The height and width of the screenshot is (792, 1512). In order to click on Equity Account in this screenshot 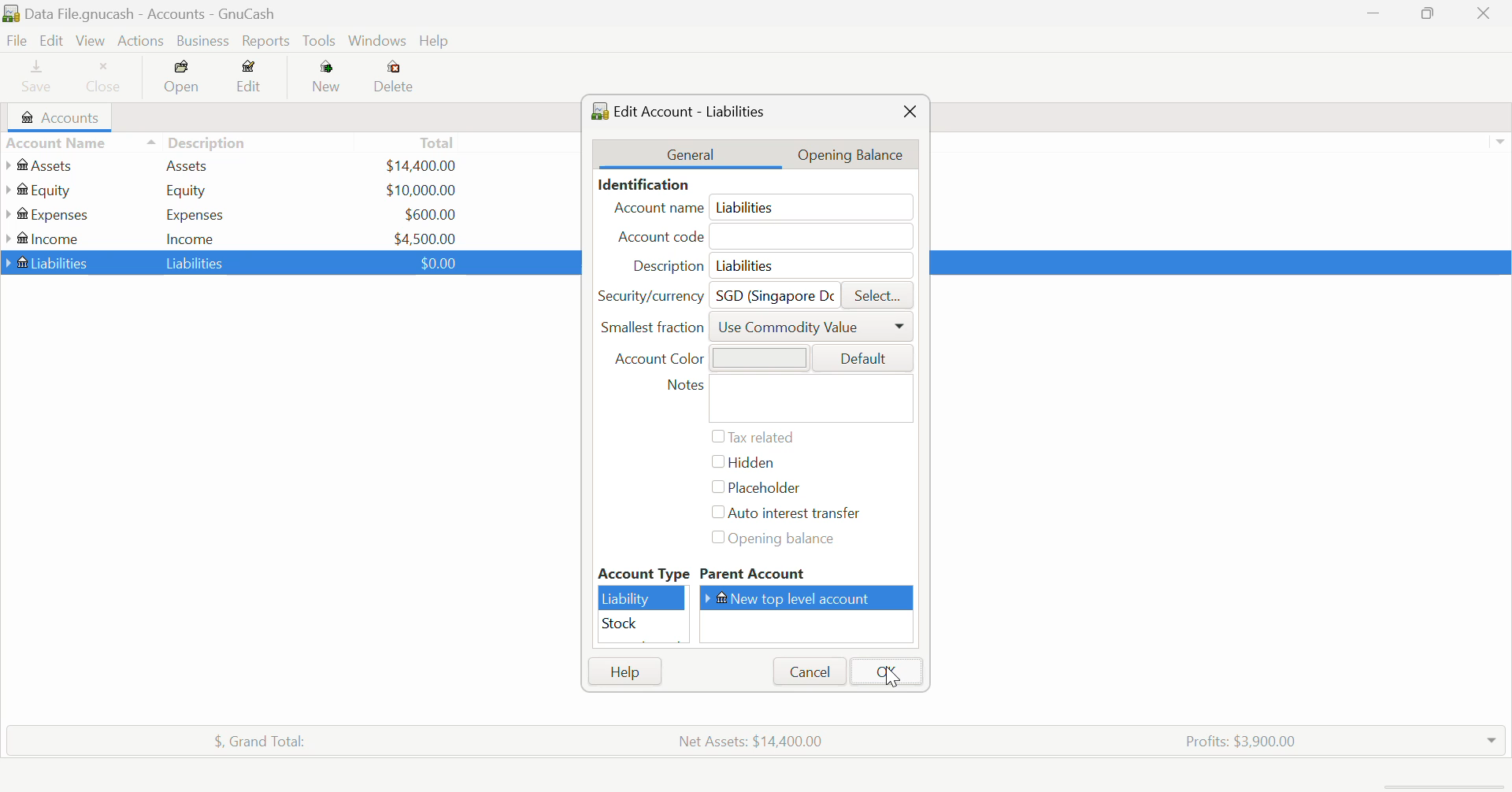, I will do `click(43, 187)`.